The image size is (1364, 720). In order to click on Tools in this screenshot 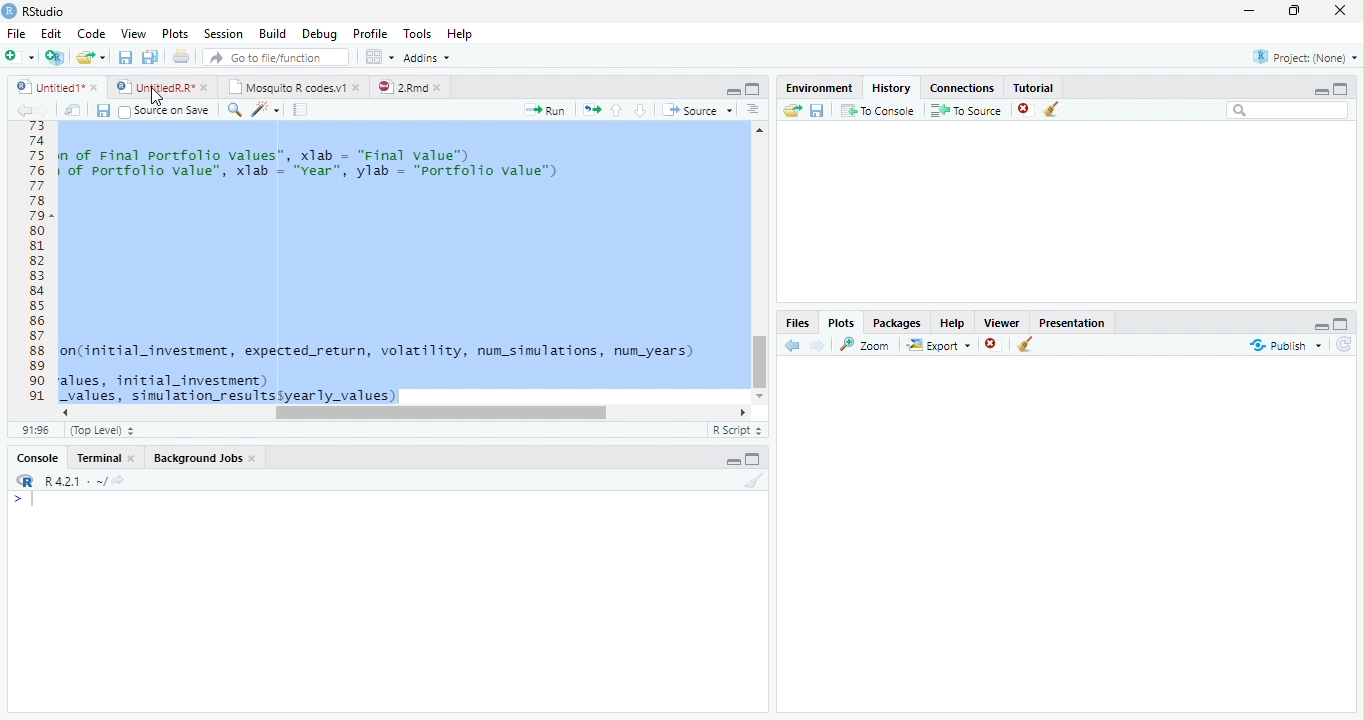, I will do `click(416, 34)`.